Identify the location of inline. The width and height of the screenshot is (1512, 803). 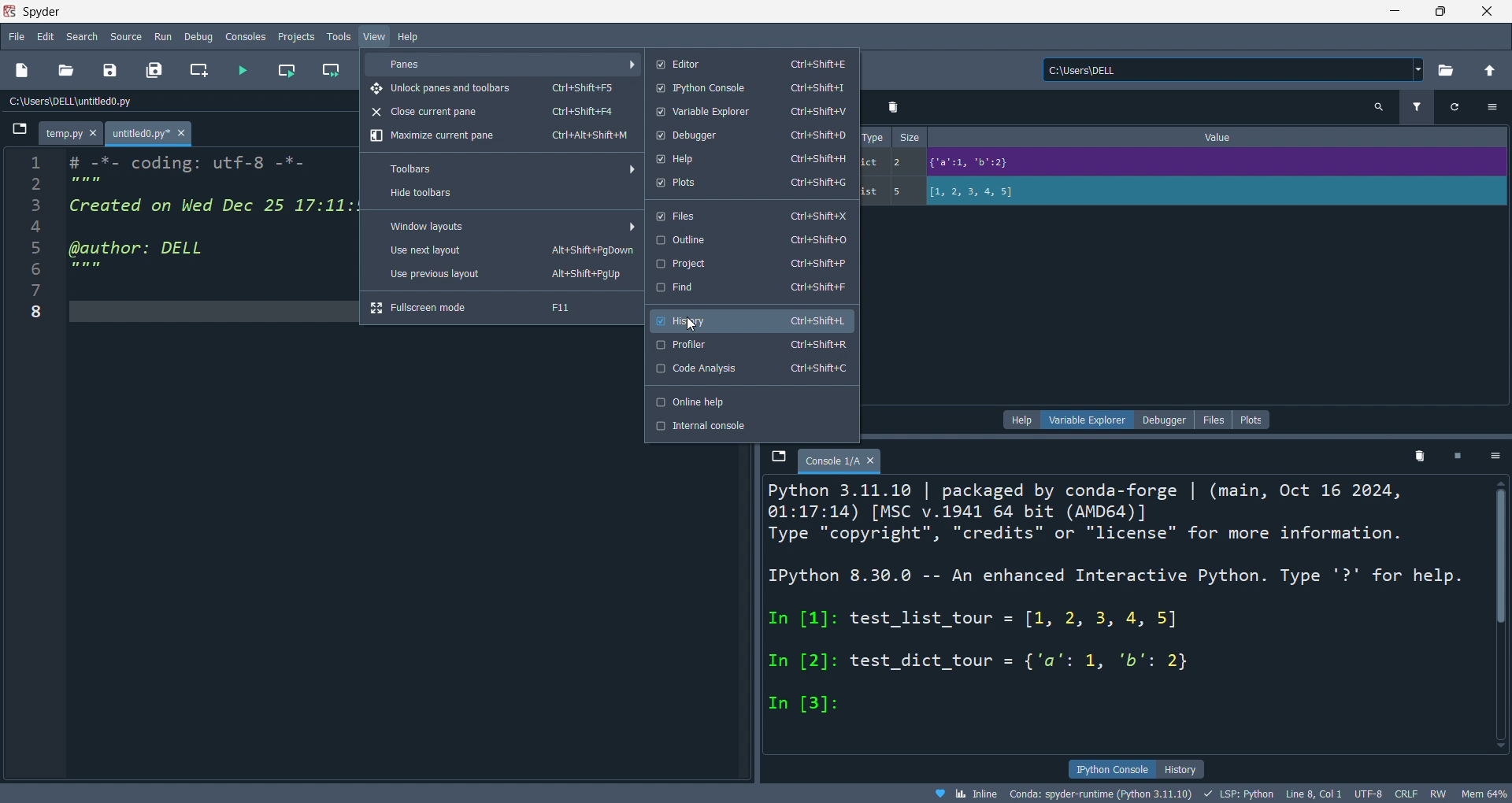
(965, 794).